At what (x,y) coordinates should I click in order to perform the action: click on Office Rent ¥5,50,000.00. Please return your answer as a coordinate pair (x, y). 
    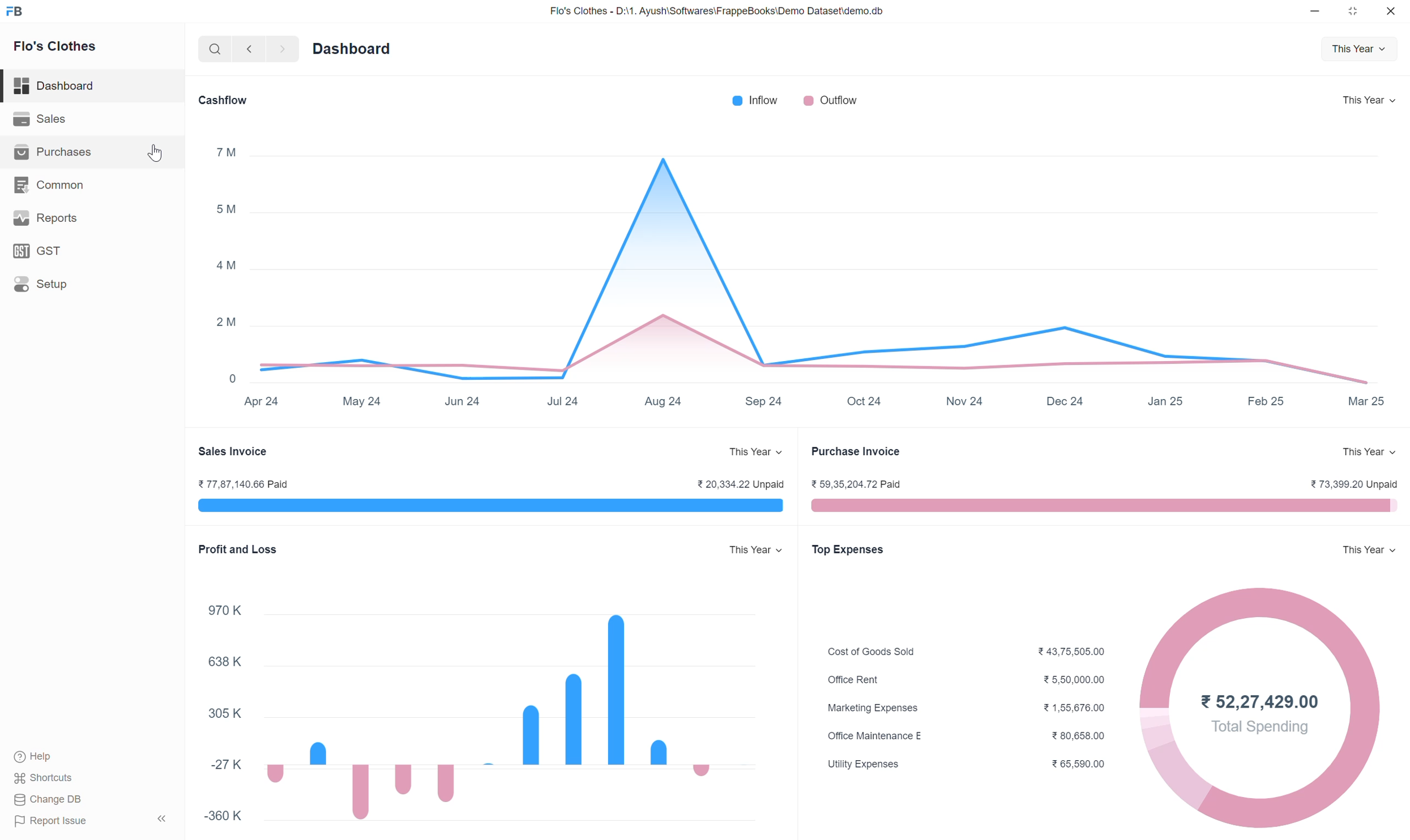
    Looking at the image, I should click on (955, 680).